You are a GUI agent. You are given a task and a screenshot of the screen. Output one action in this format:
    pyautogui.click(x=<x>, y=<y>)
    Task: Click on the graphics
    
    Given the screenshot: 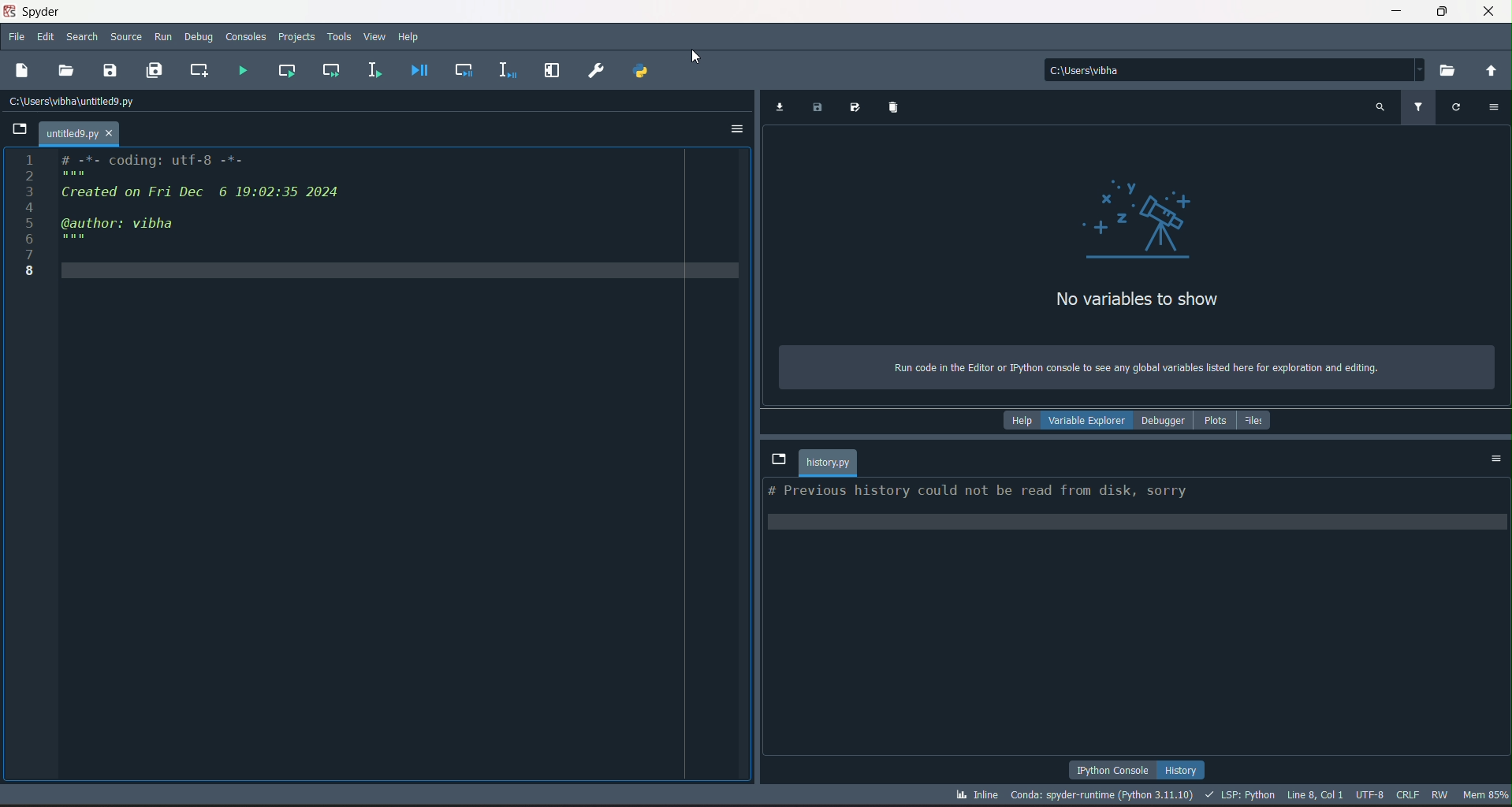 What is the action you would take?
    pyautogui.click(x=1138, y=220)
    